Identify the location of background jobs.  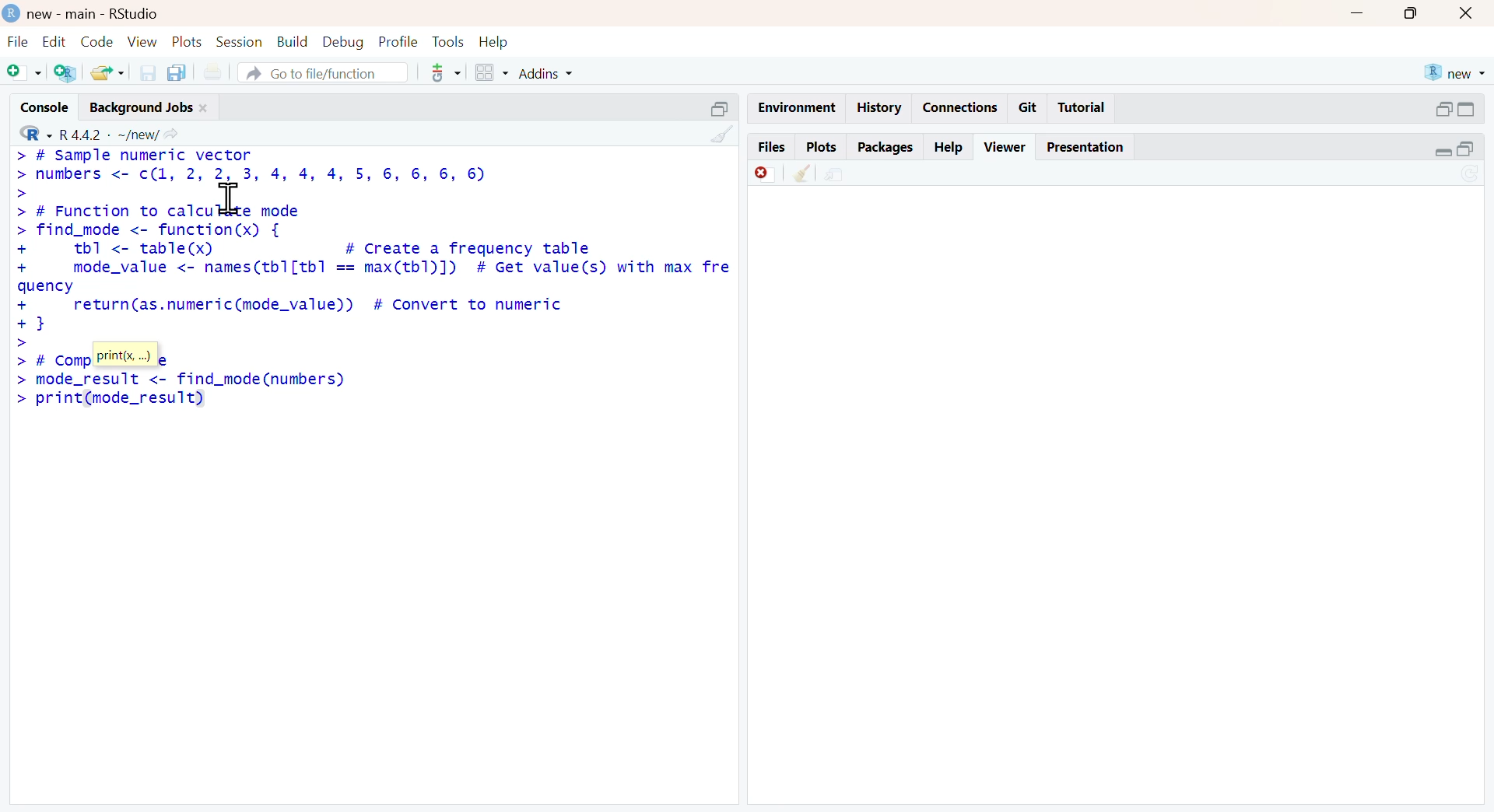
(142, 108).